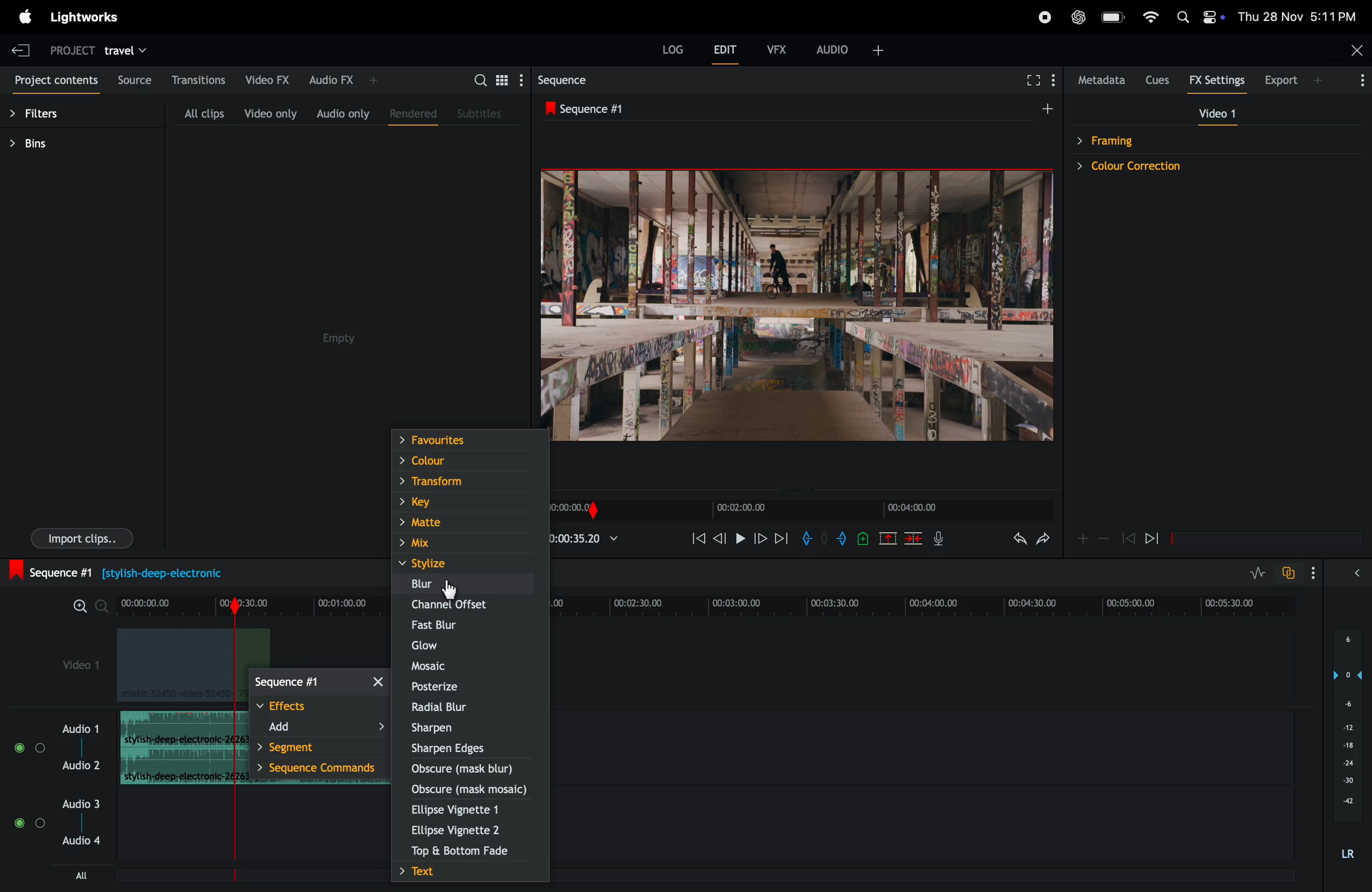 The width and height of the screenshot is (1372, 892). What do you see at coordinates (201, 80) in the screenshot?
I see `transitions` at bounding box center [201, 80].